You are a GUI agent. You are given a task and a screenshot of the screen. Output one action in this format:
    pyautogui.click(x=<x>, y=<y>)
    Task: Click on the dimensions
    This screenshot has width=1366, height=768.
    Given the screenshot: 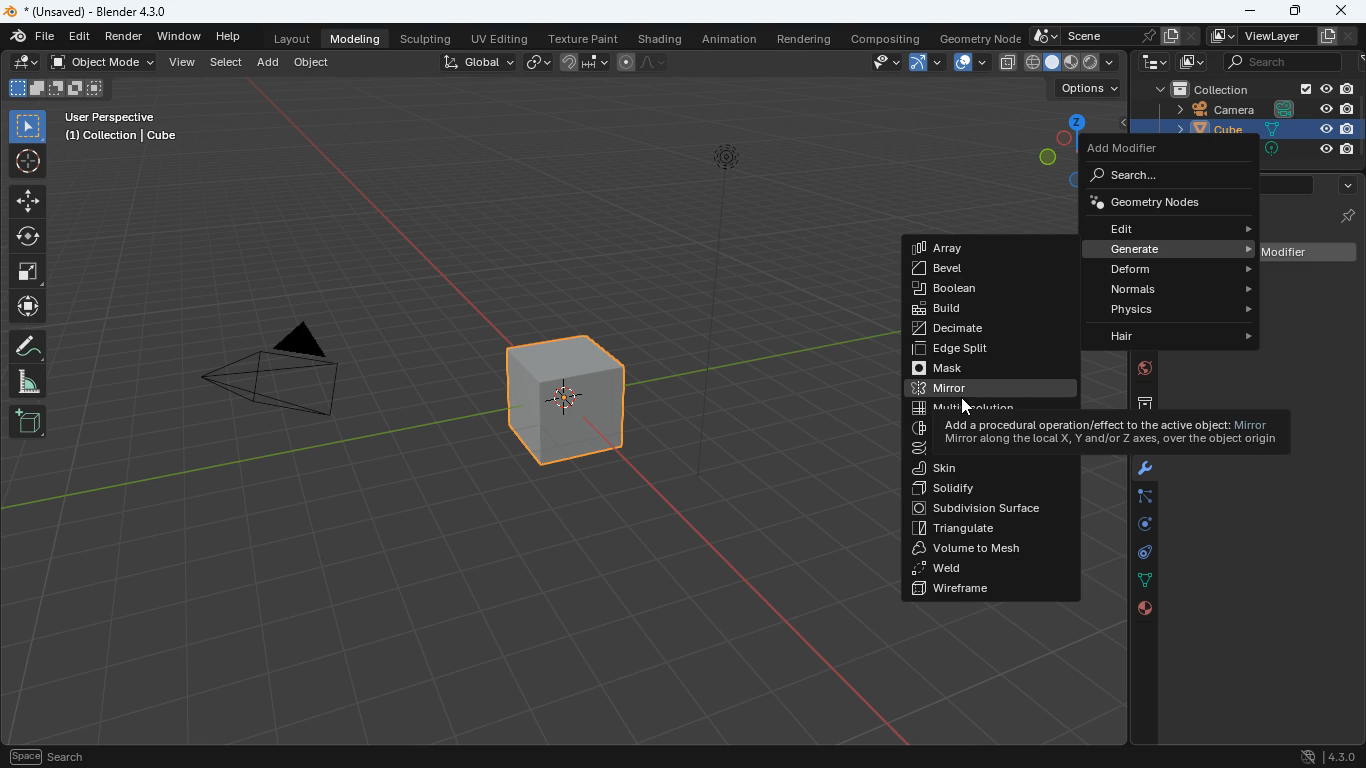 What is the action you would take?
    pyautogui.click(x=1050, y=143)
    